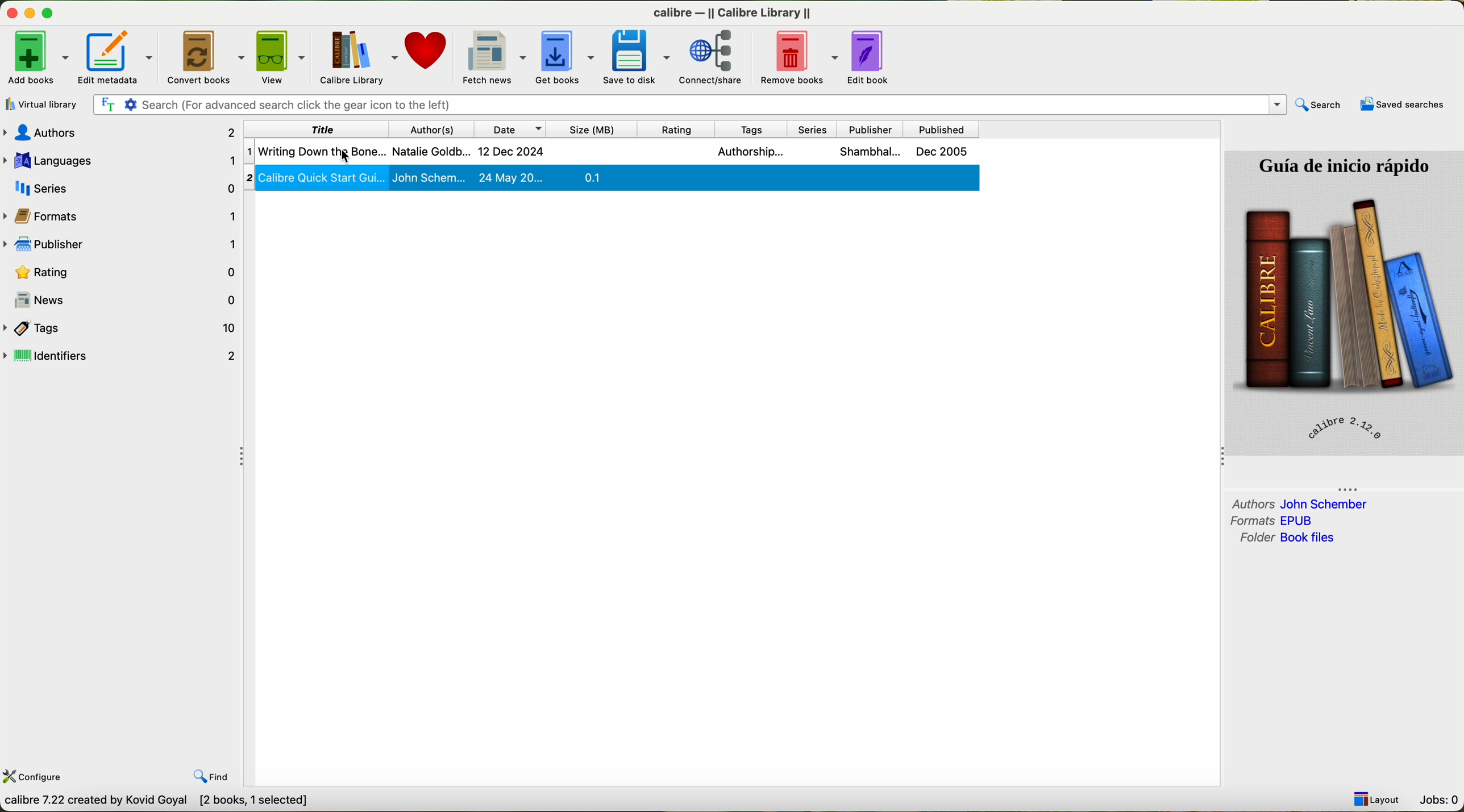  I want to click on Jobs: 0, so click(1440, 801).